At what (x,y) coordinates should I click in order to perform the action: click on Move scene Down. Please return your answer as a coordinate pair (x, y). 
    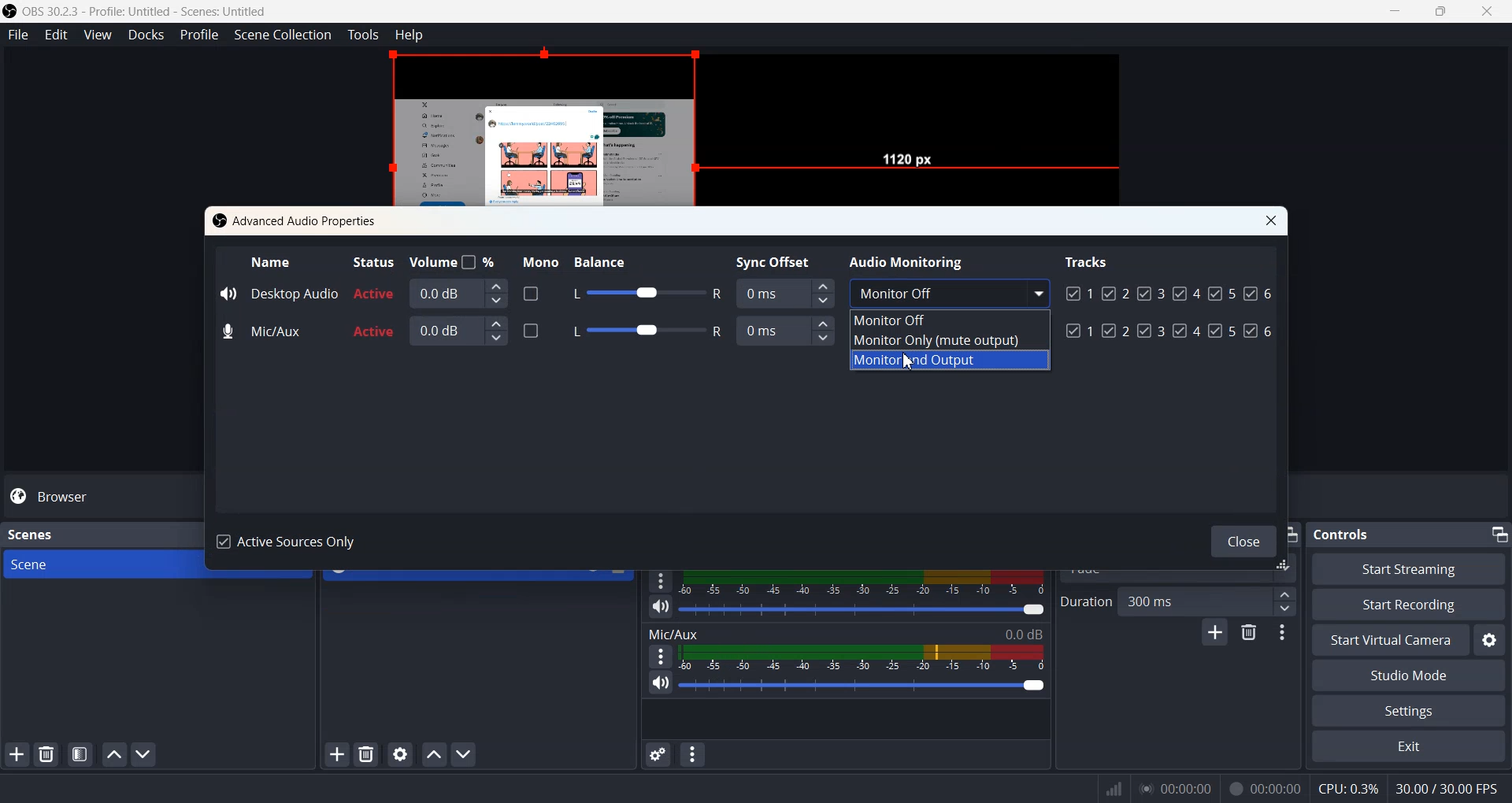
    Looking at the image, I should click on (145, 755).